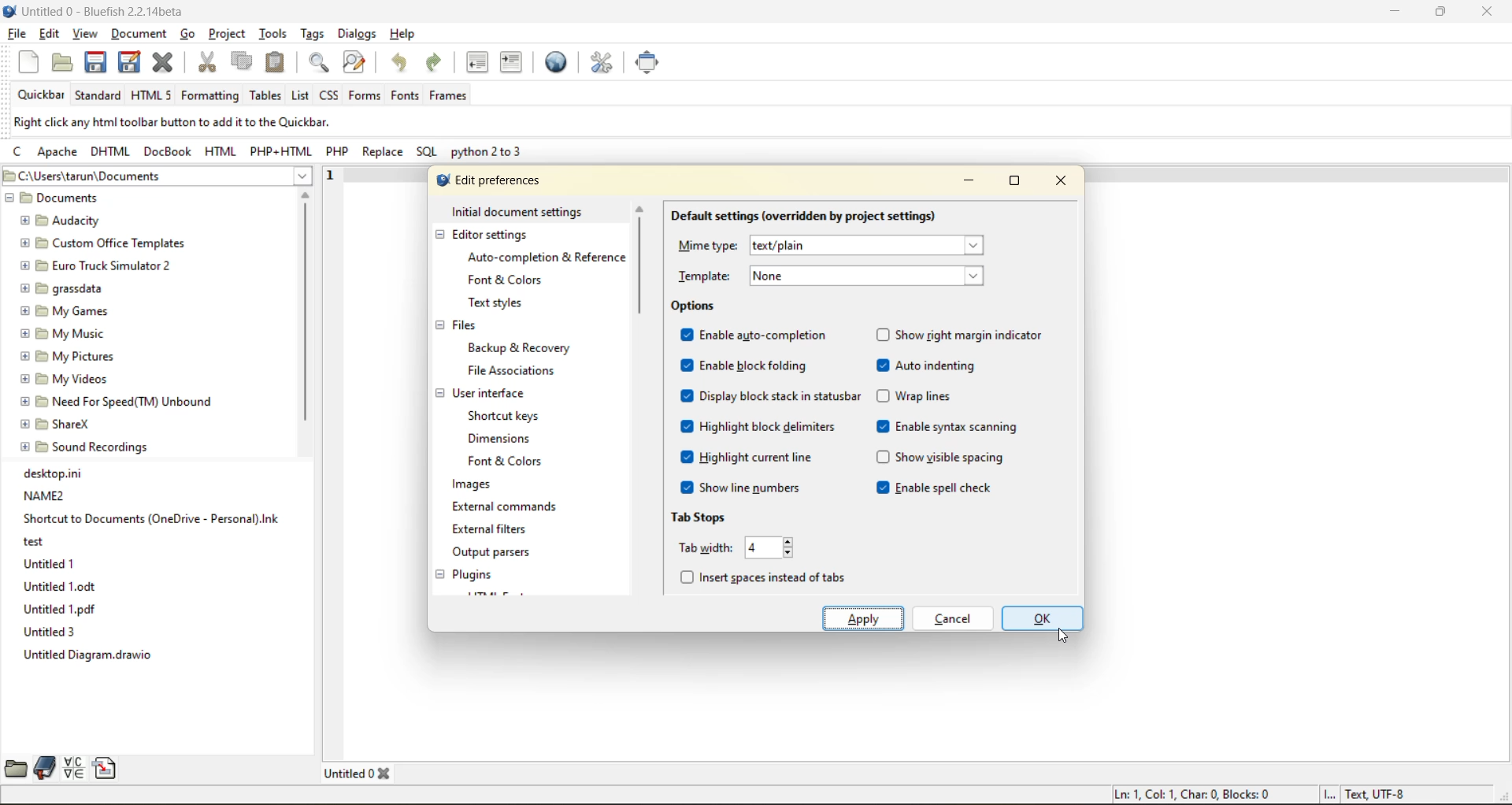 The height and width of the screenshot is (805, 1512). Describe the element at coordinates (449, 97) in the screenshot. I see `frames` at that location.